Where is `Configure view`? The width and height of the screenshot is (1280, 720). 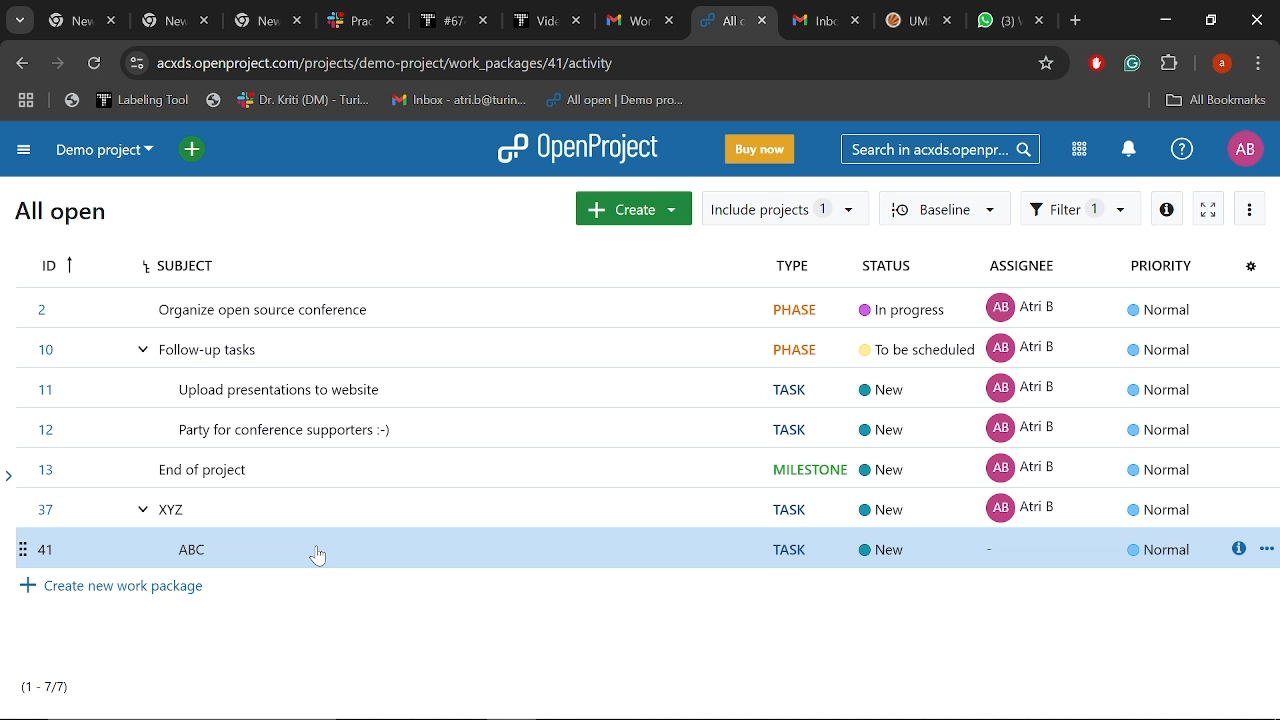
Configure view is located at coordinates (1251, 267).